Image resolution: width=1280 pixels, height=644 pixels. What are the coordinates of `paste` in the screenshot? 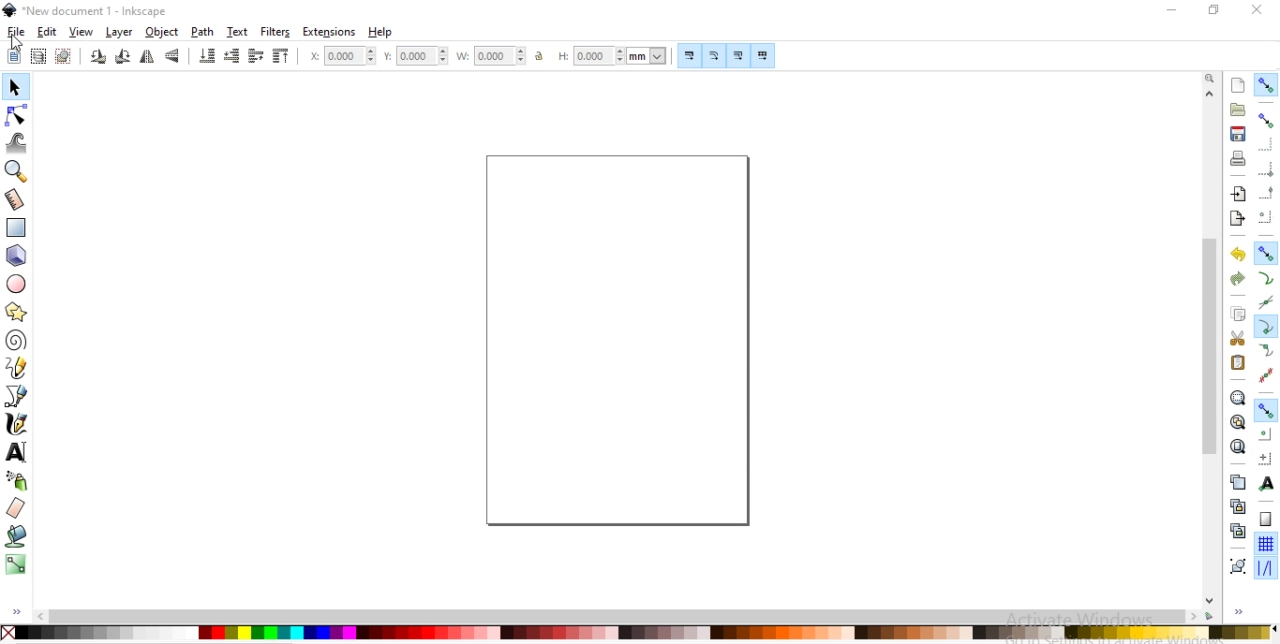 It's located at (1238, 363).